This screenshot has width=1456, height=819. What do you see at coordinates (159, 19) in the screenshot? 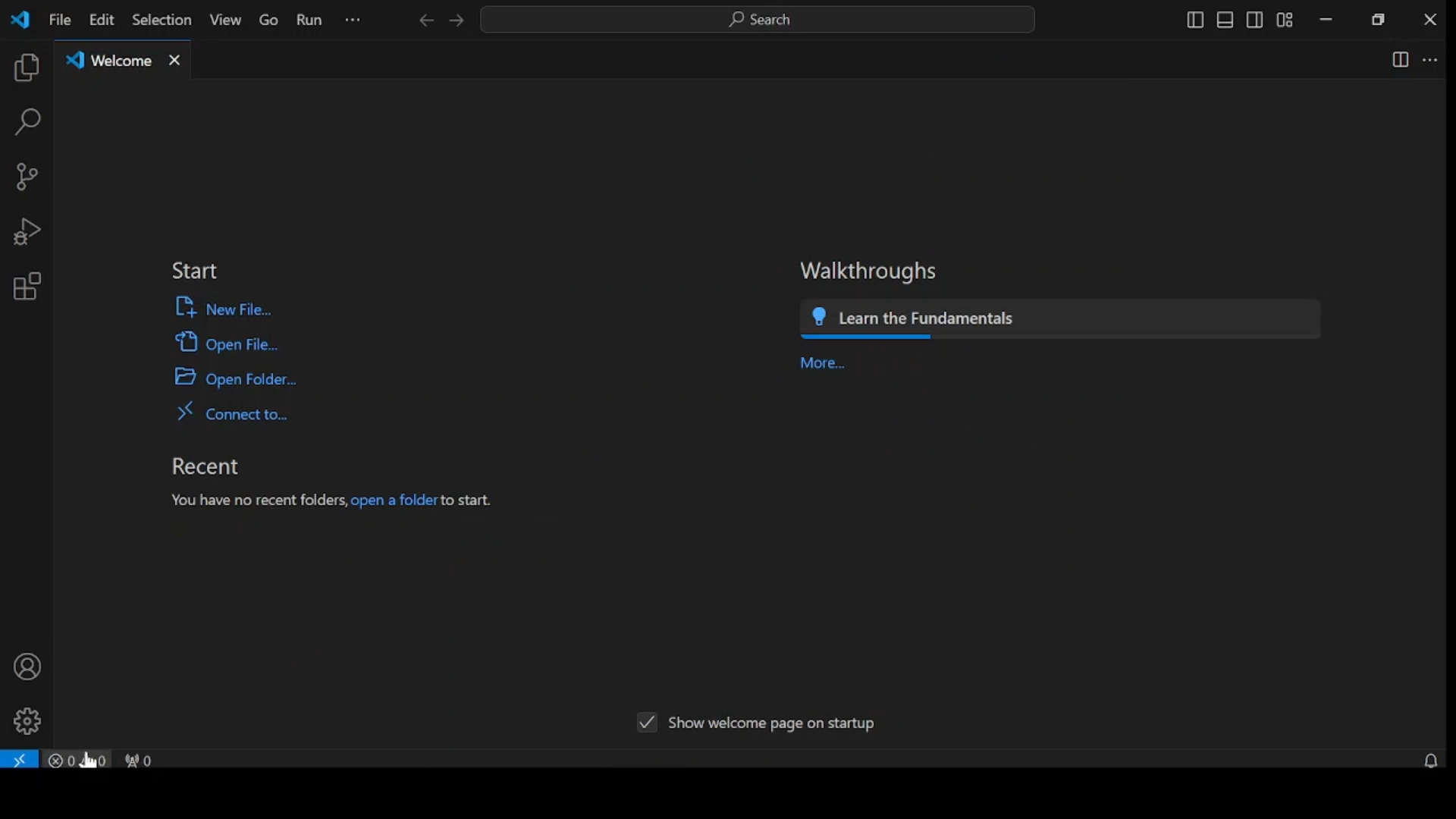
I see `selection` at bounding box center [159, 19].